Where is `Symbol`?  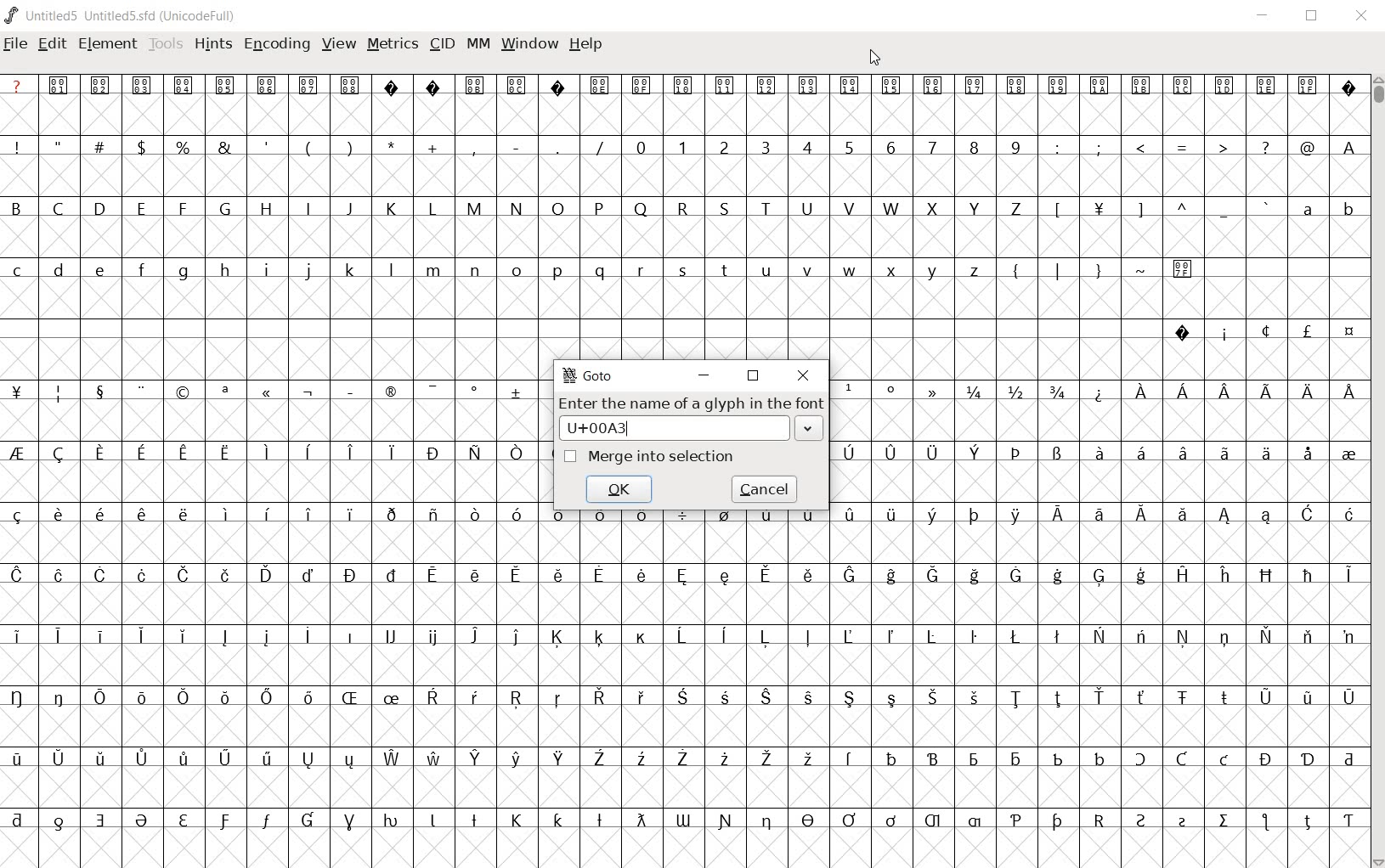
Symbol is located at coordinates (267, 696).